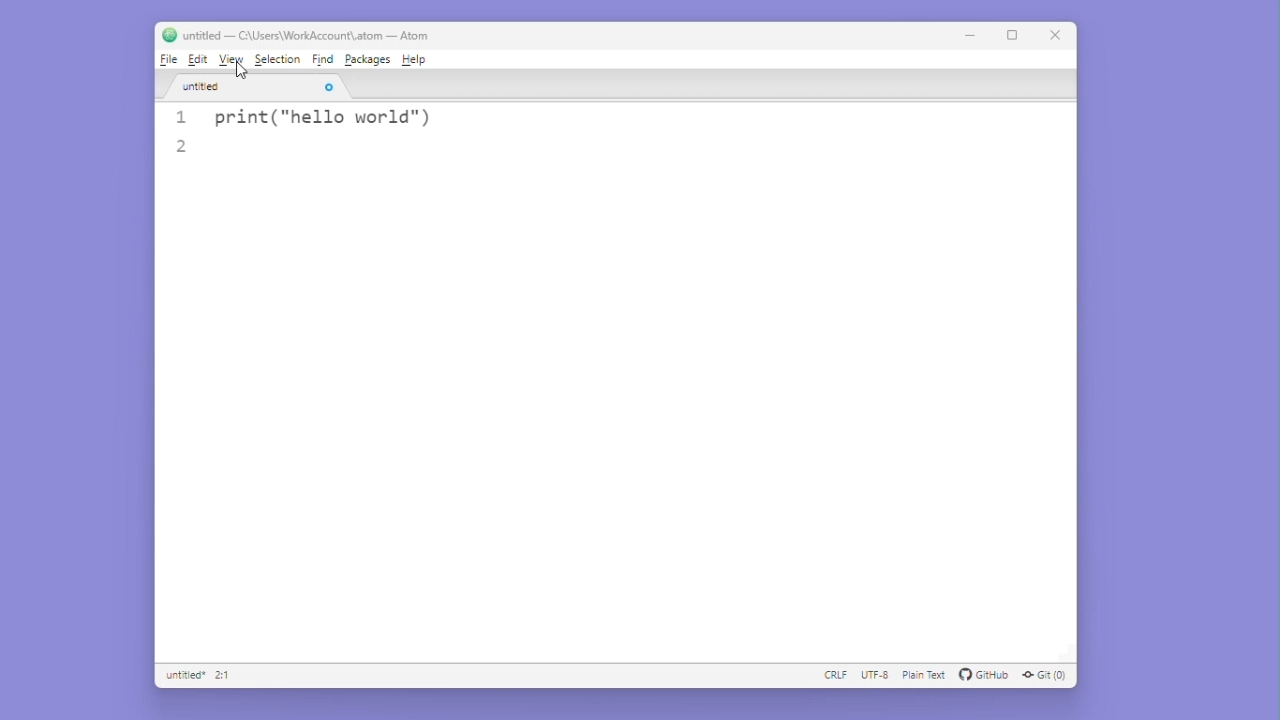 The height and width of the screenshot is (720, 1280). What do you see at coordinates (199, 60) in the screenshot?
I see `edit` at bounding box center [199, 60].